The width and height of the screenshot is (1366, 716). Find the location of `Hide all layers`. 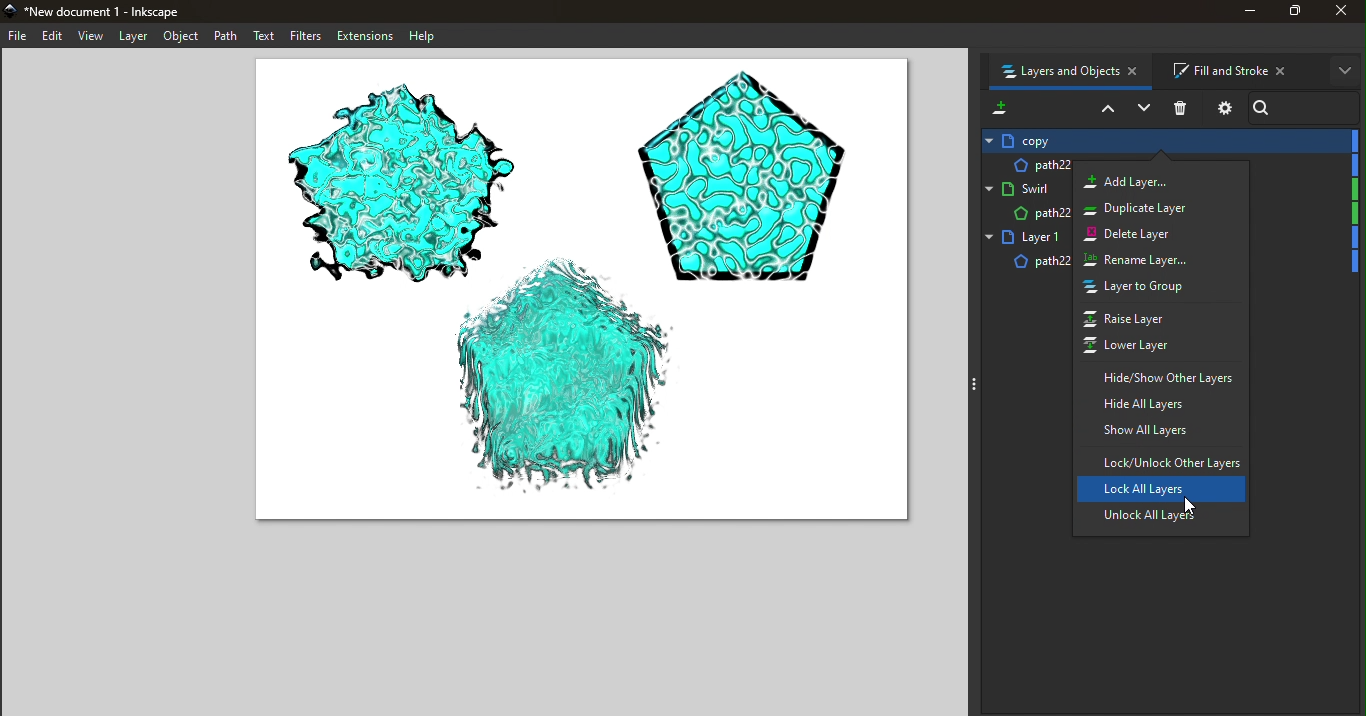

Hide all layers is located at coordinates (1161, 404).